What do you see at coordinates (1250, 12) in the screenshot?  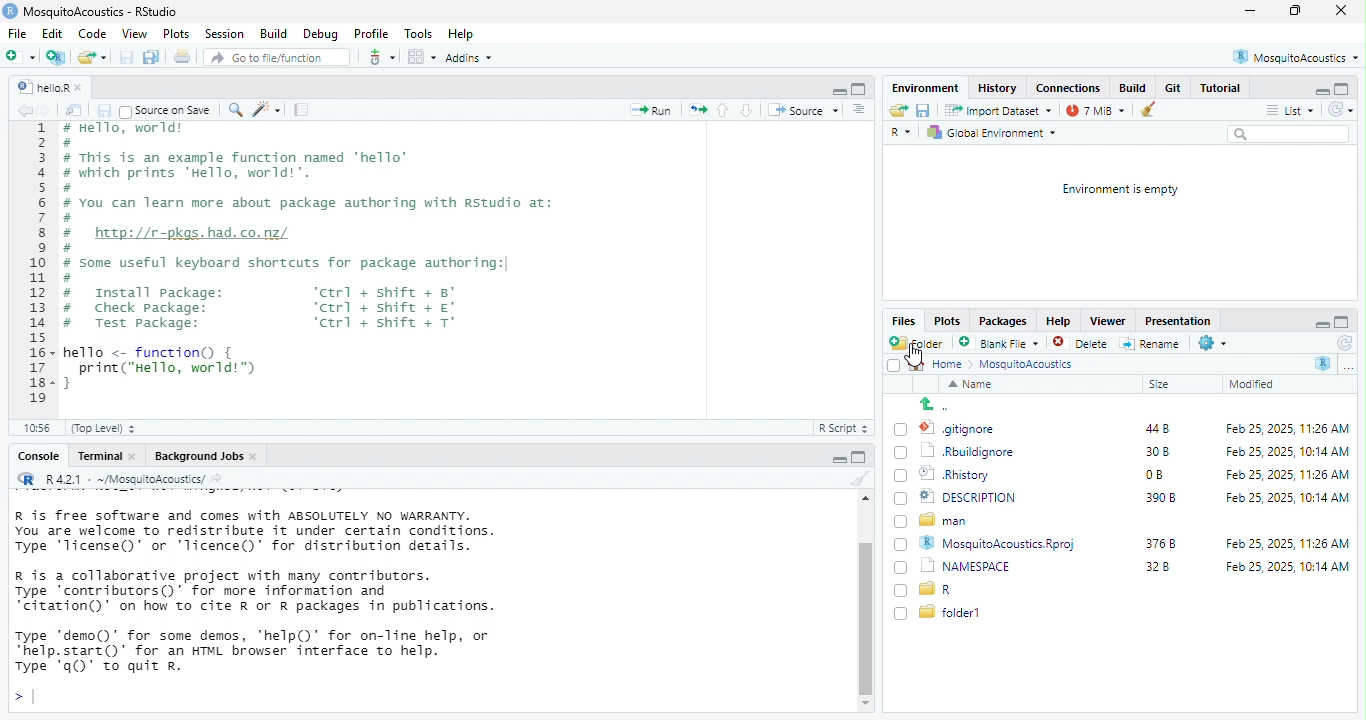 I see `minimize` at bounding box center [1250, 12].